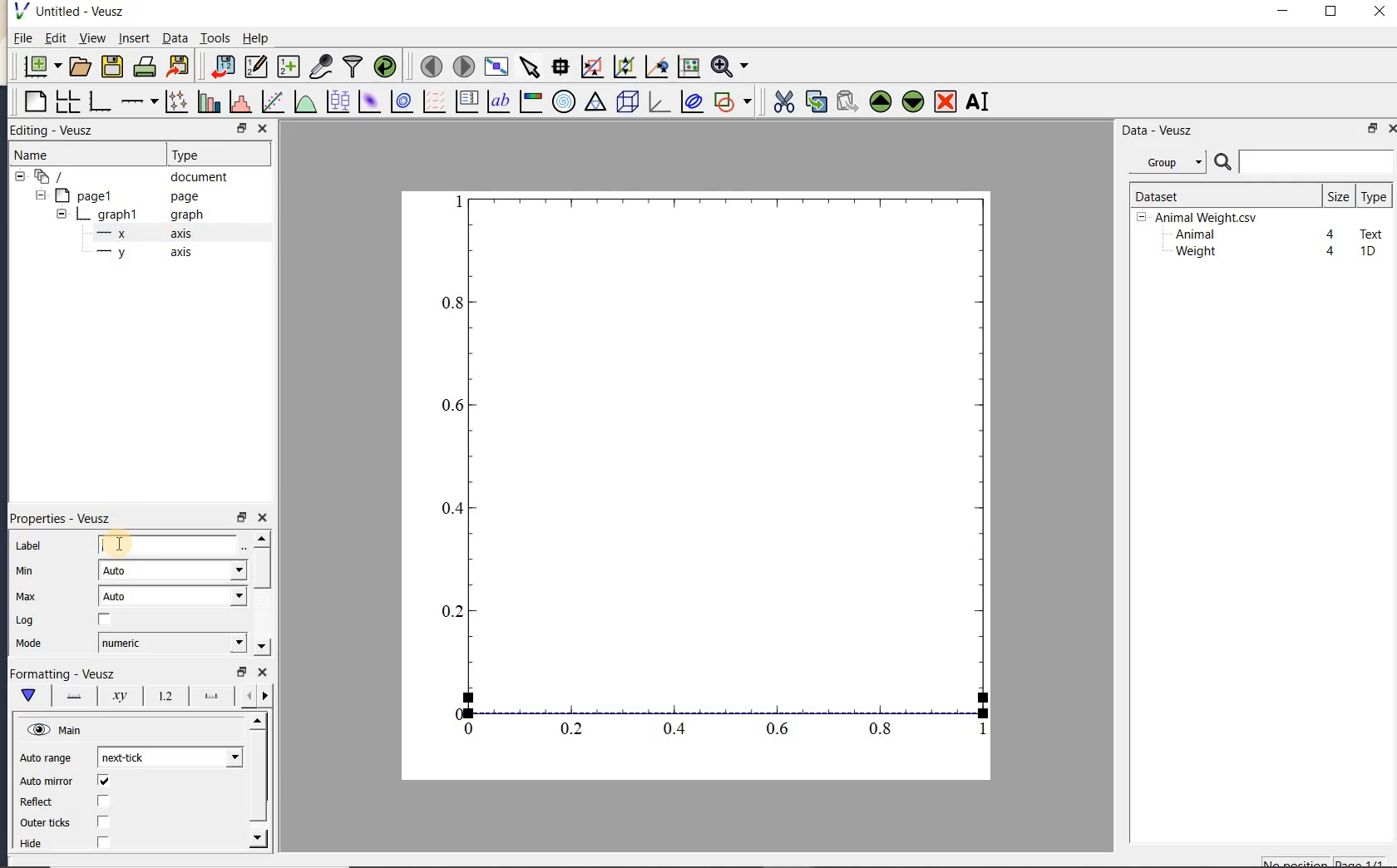 The width and height of the screenshot is (1397, 868). I want to click on Data, so click(175, 37).